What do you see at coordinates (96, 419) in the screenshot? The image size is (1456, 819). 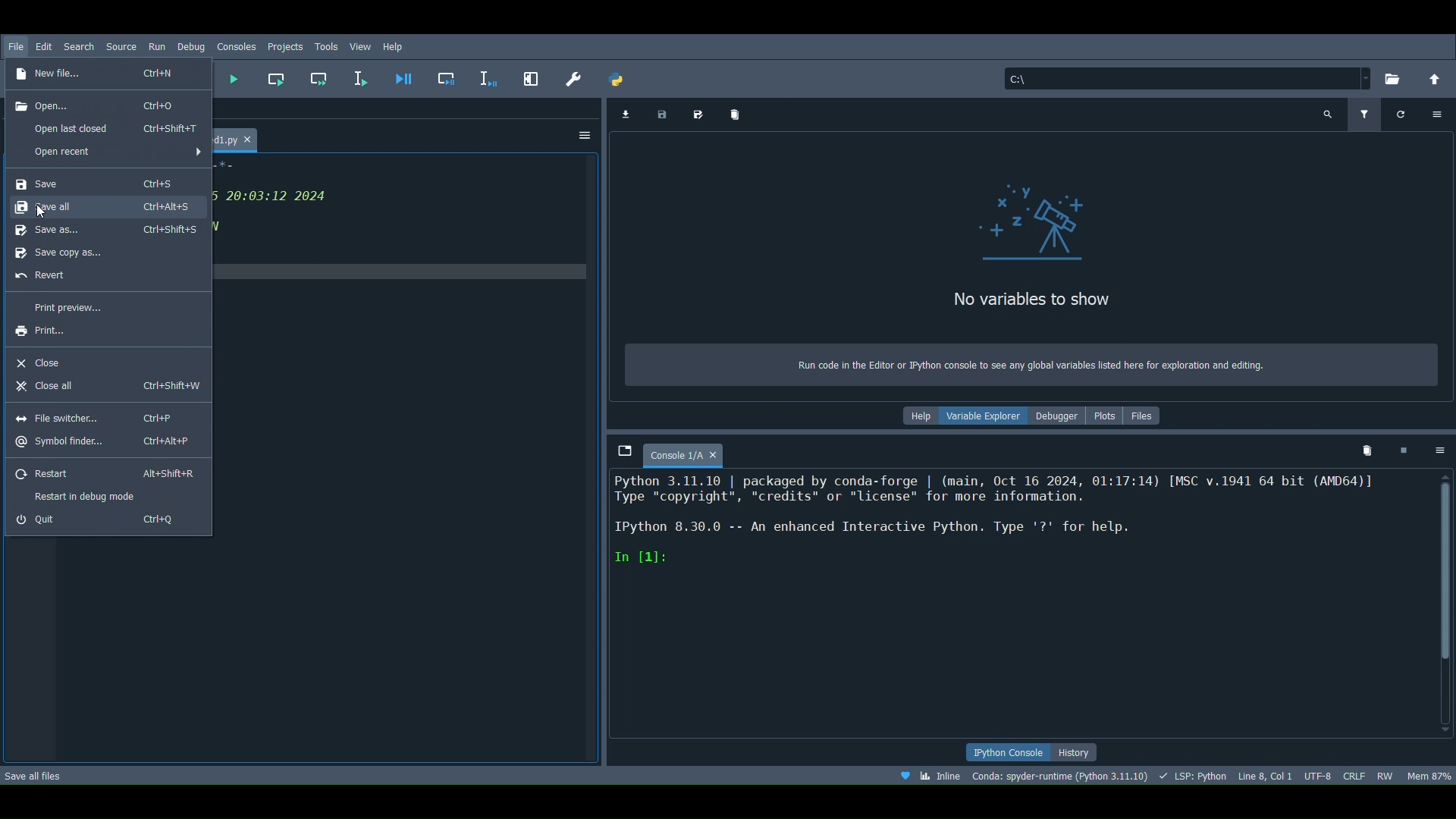 I see `File switcher` at bounding box center [96, 419].